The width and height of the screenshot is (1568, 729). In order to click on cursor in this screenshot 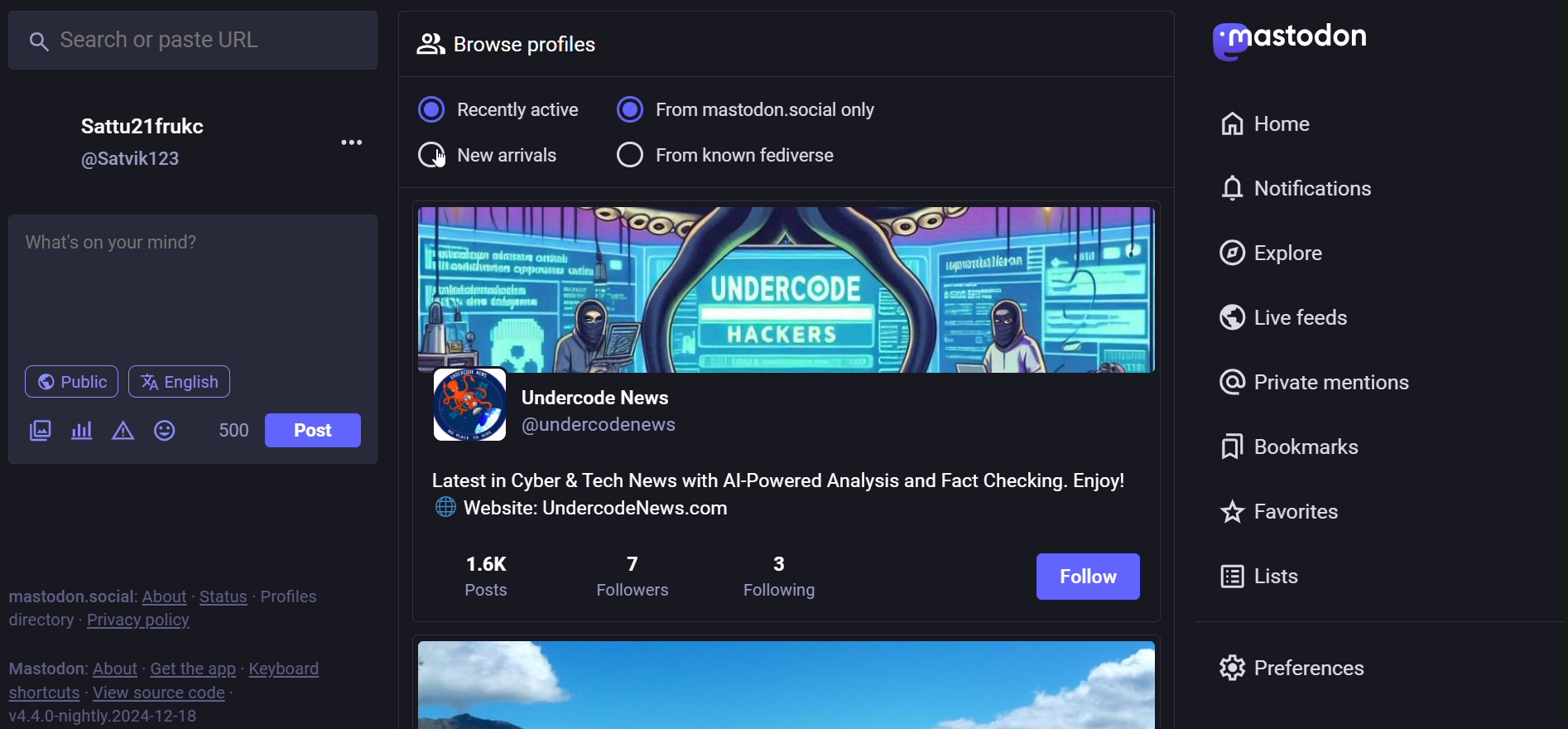, I will do `click(450, 166)`.